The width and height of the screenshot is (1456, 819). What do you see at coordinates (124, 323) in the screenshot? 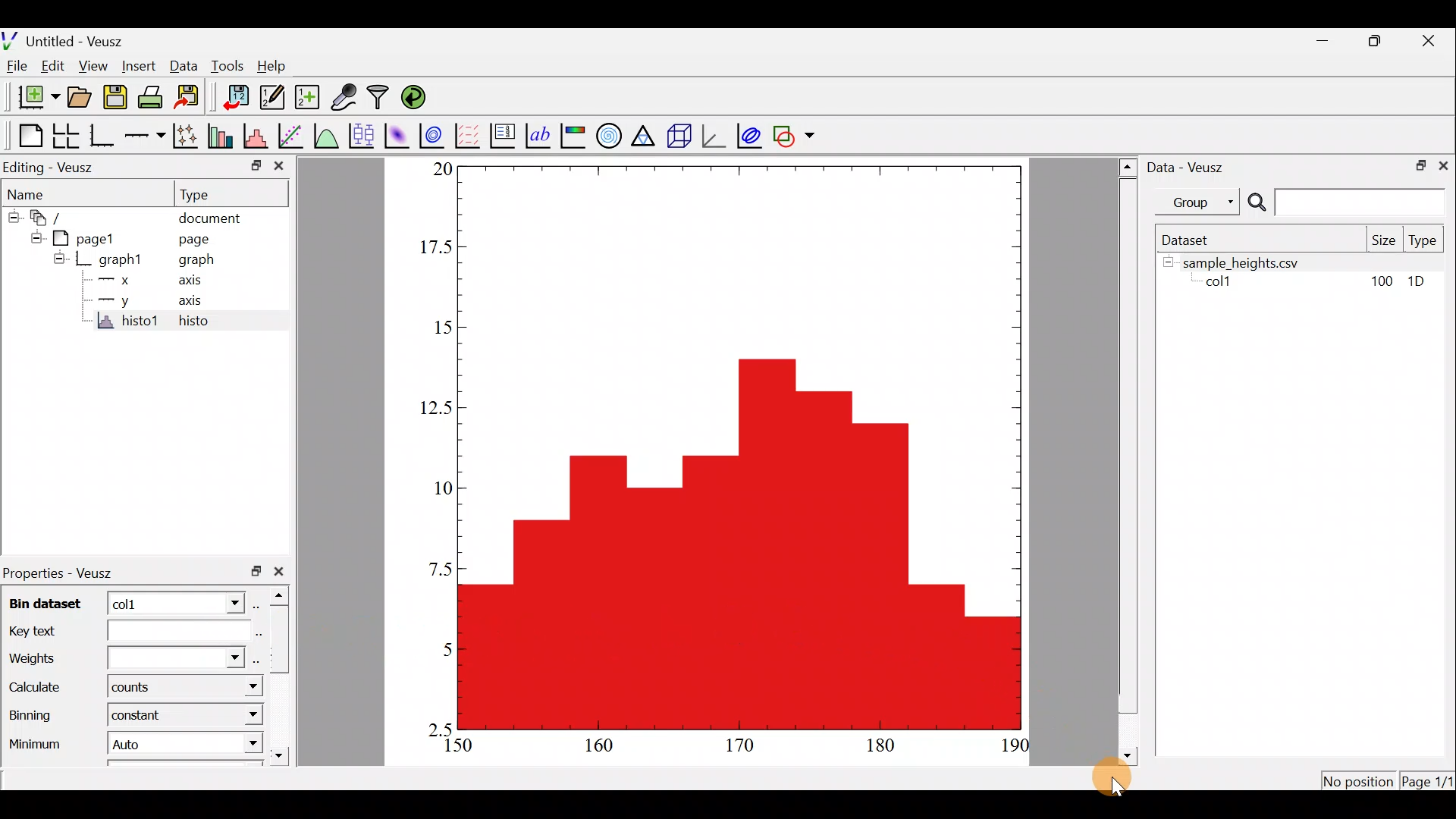
I see `histo1` at bounding box center [124, 323].